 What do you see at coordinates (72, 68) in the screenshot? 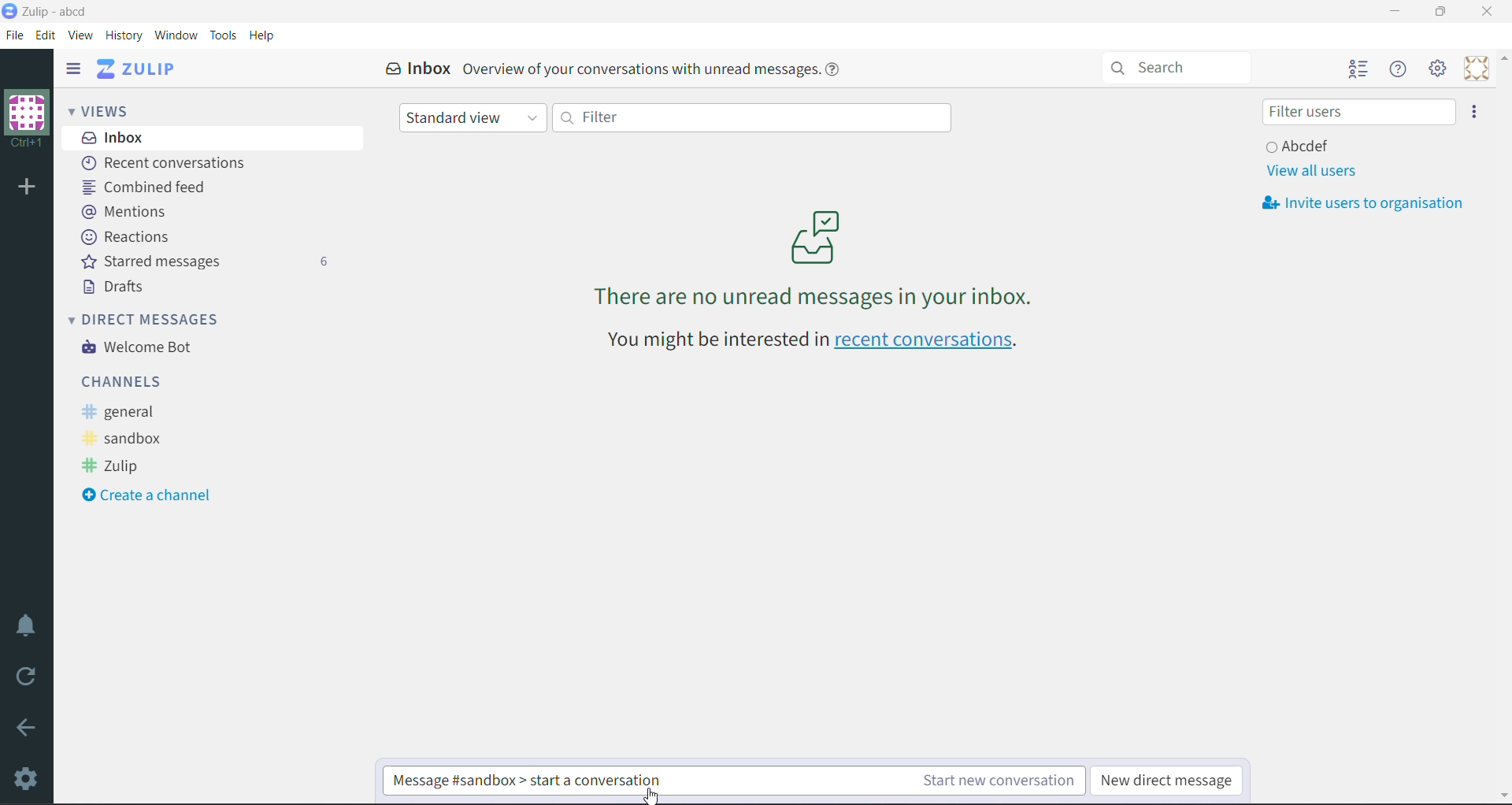
I see `Hide left sidebar` at bounding box center [72, 68].